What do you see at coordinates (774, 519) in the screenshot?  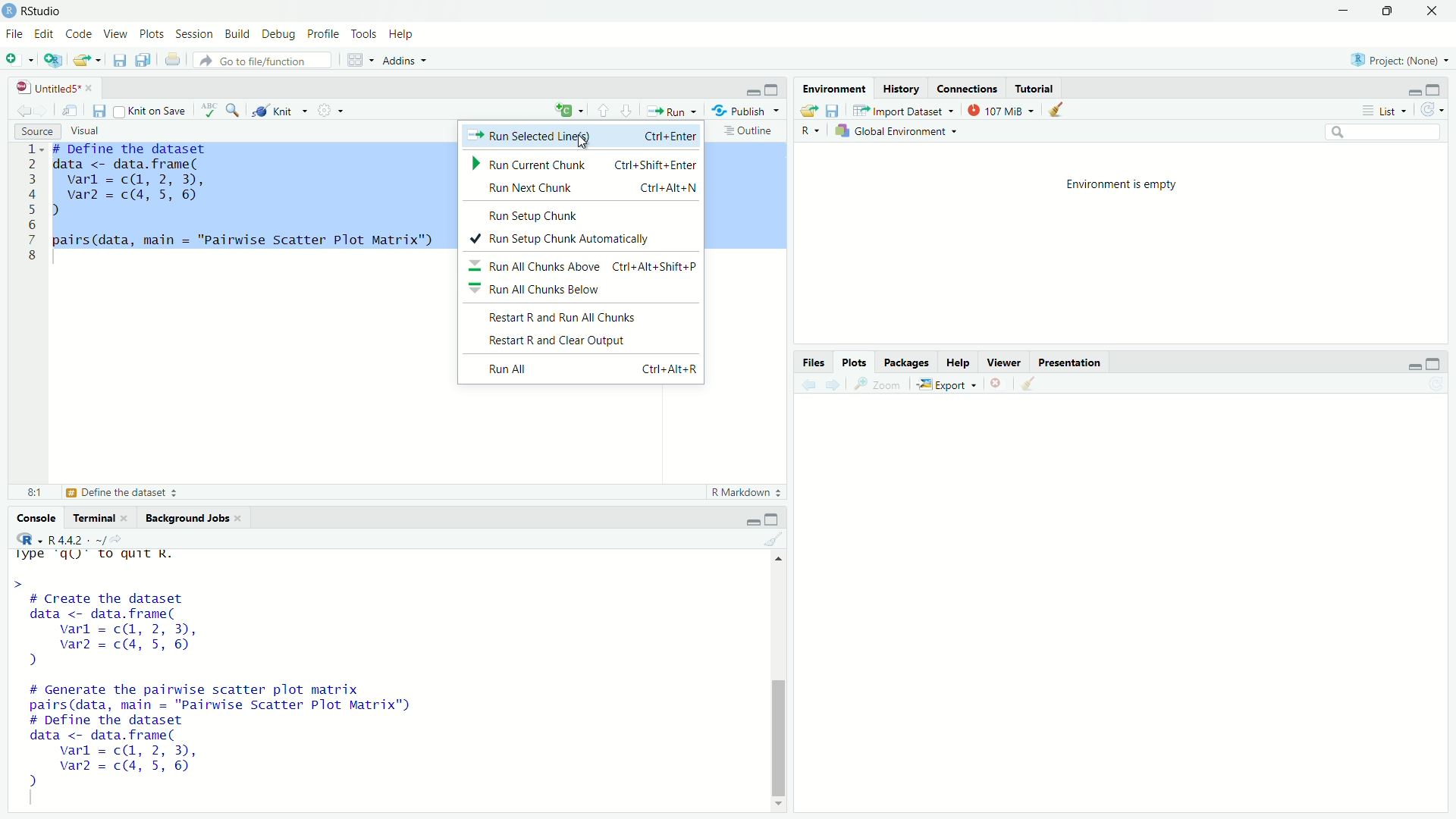 I see `Maximize` at bounding box center [774, 519].